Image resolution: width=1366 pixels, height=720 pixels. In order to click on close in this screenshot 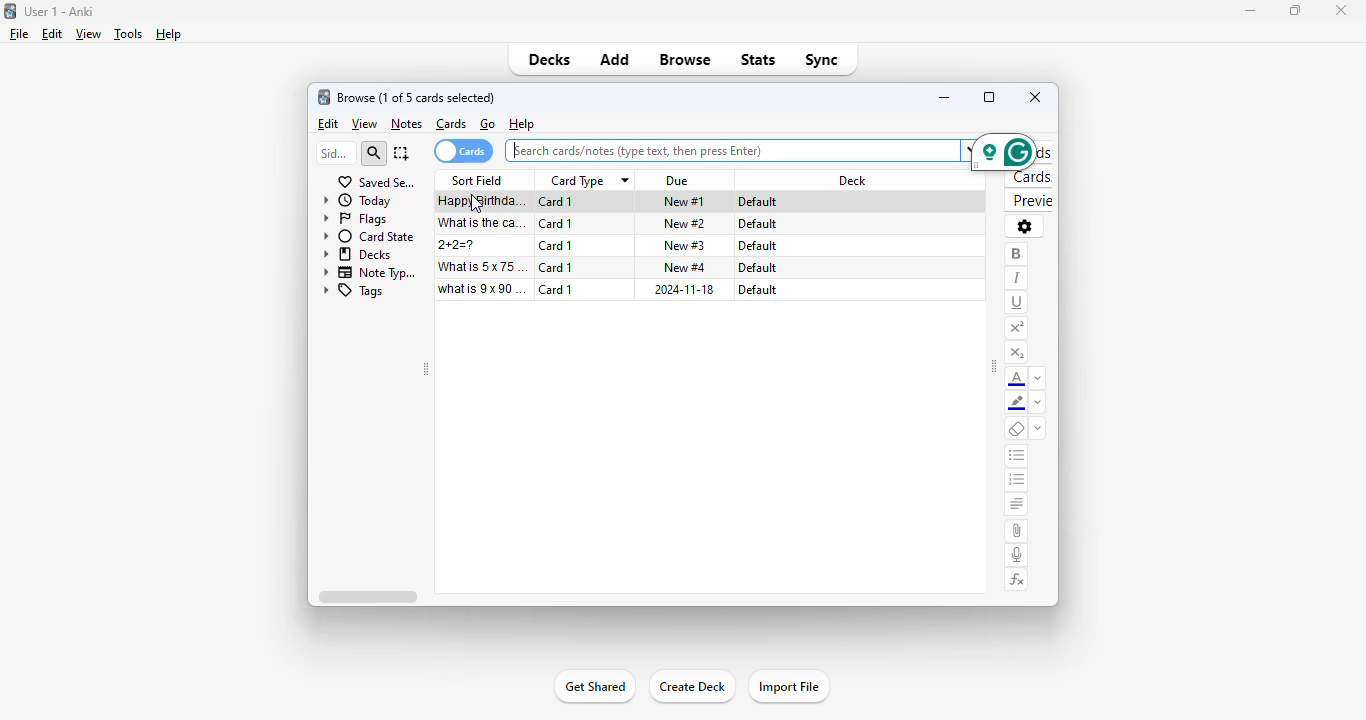, I will do `click(1036, 96)`.